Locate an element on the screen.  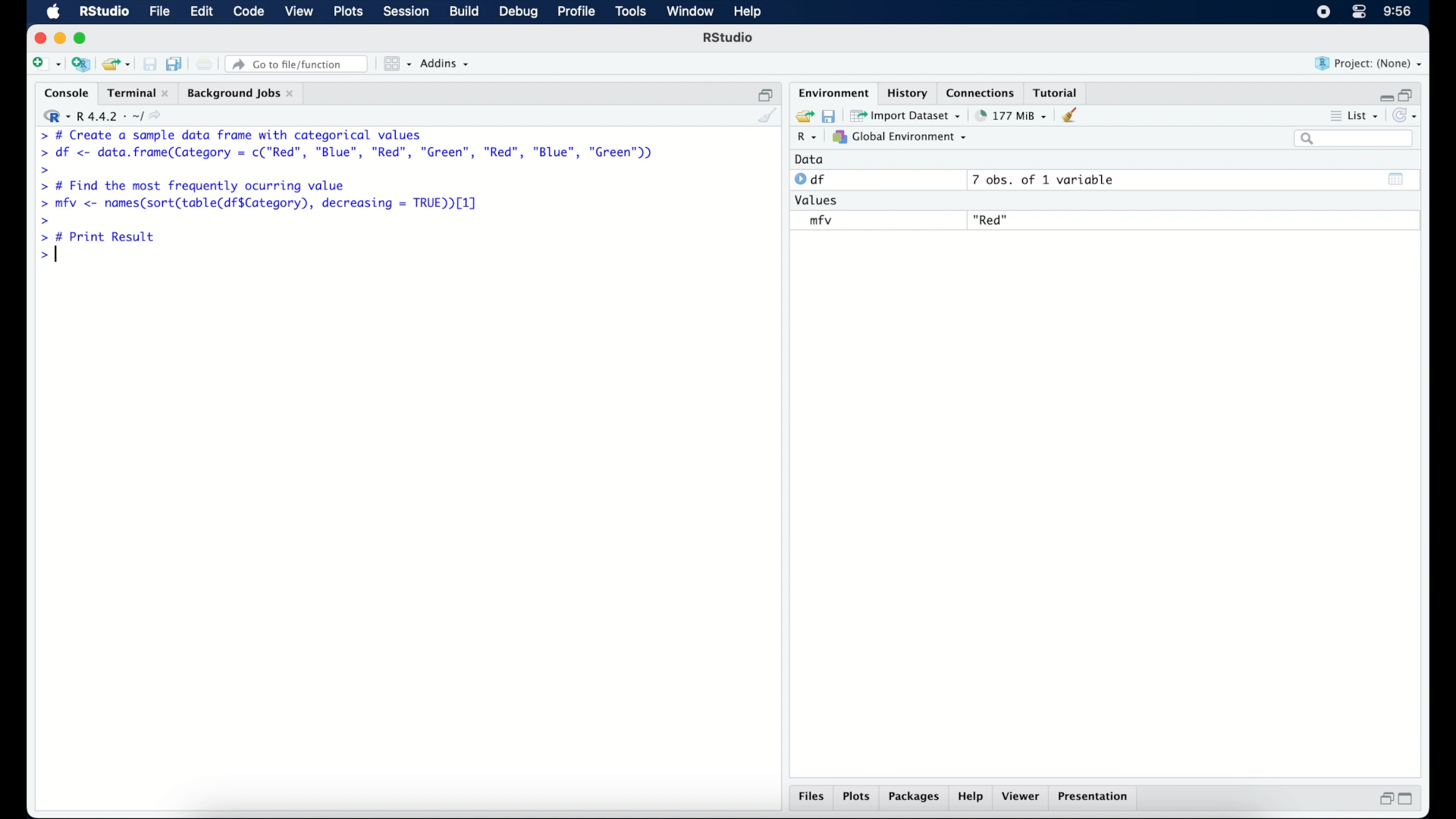
minimize is located at coordinates (1383, 95).